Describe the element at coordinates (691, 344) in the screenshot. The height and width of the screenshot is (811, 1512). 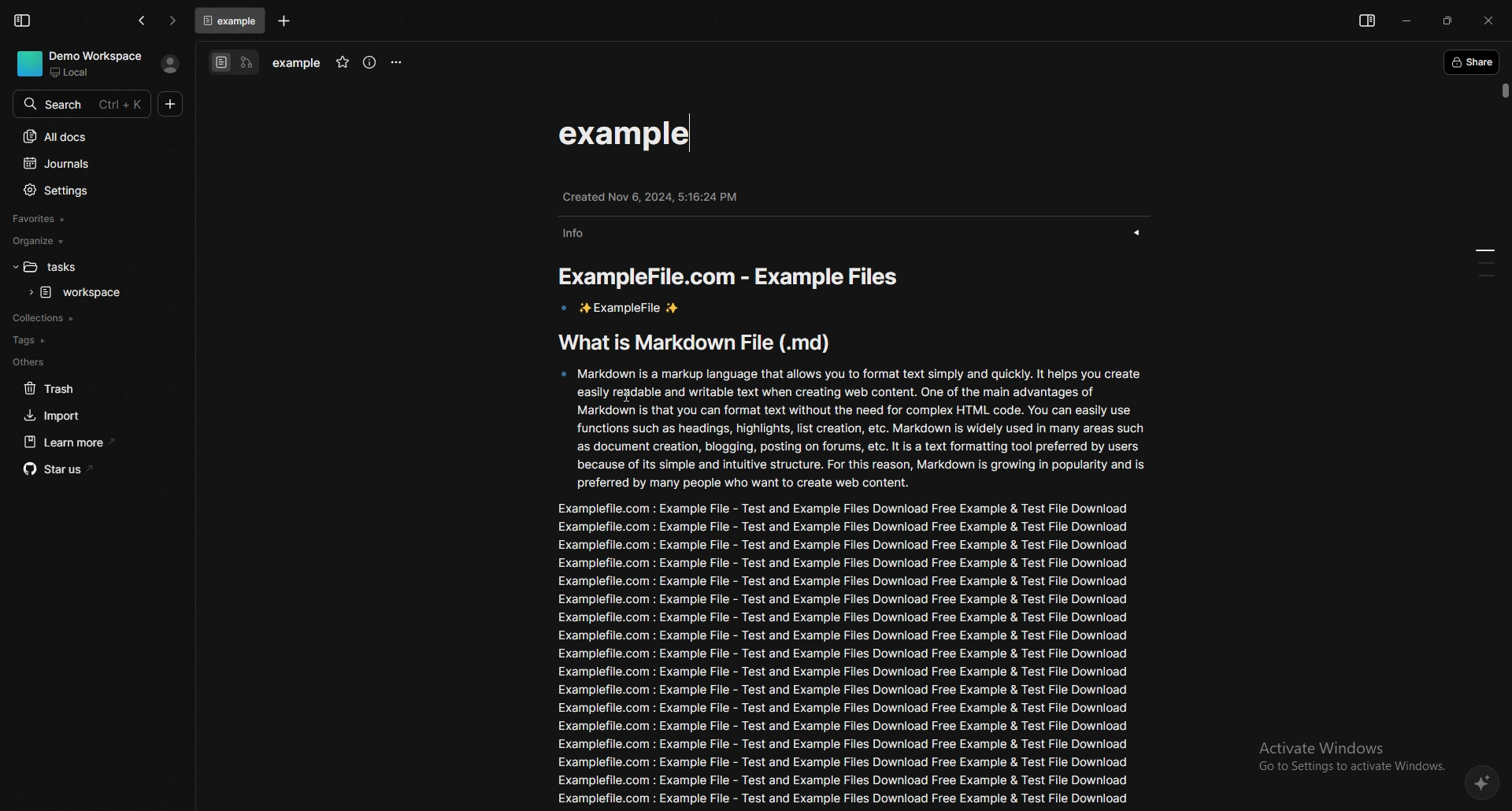
I see `What is Markdown File (.md)` at that location.